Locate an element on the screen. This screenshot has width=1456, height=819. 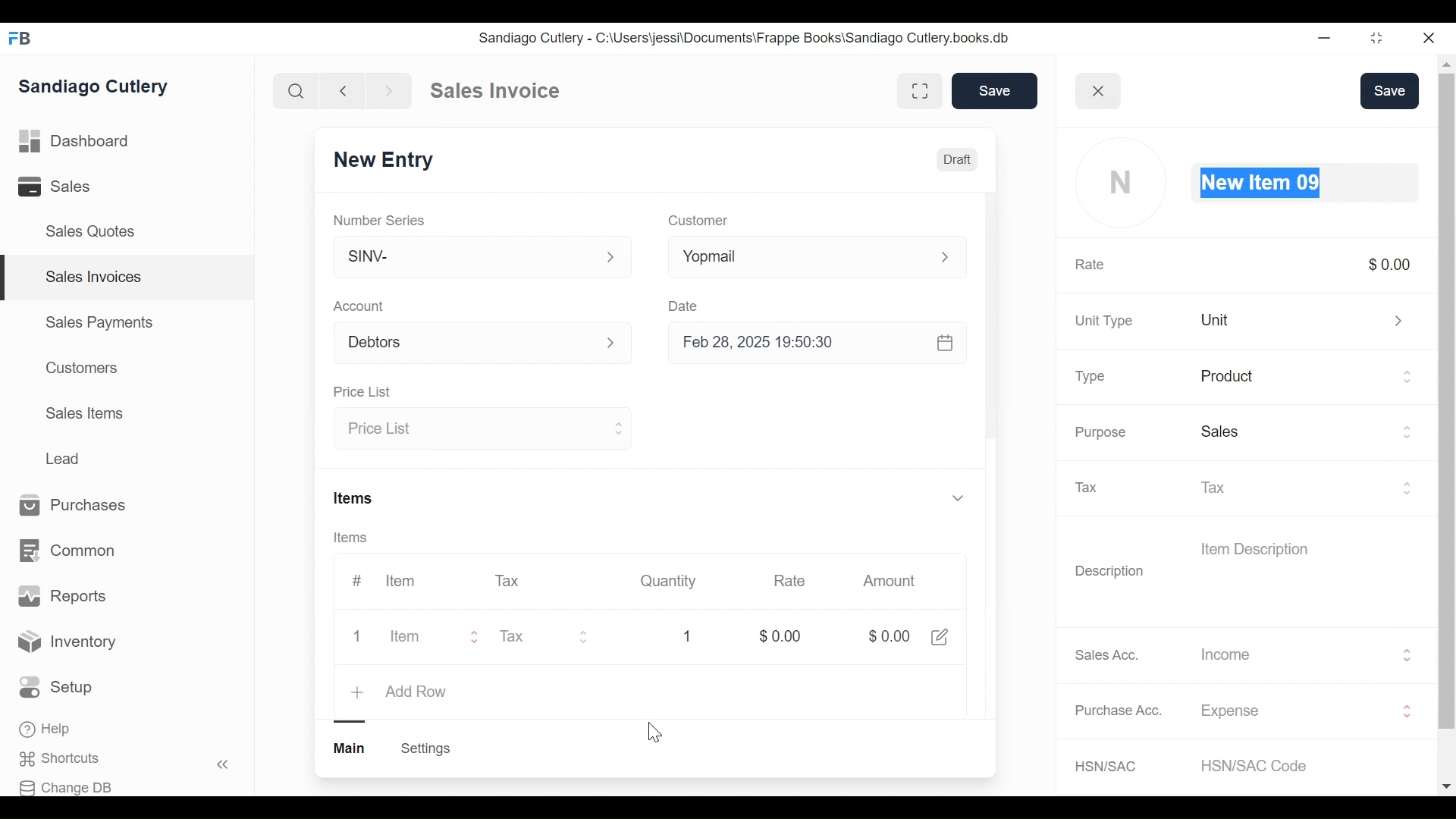
Dashboard is located at coordinates (75, 140).